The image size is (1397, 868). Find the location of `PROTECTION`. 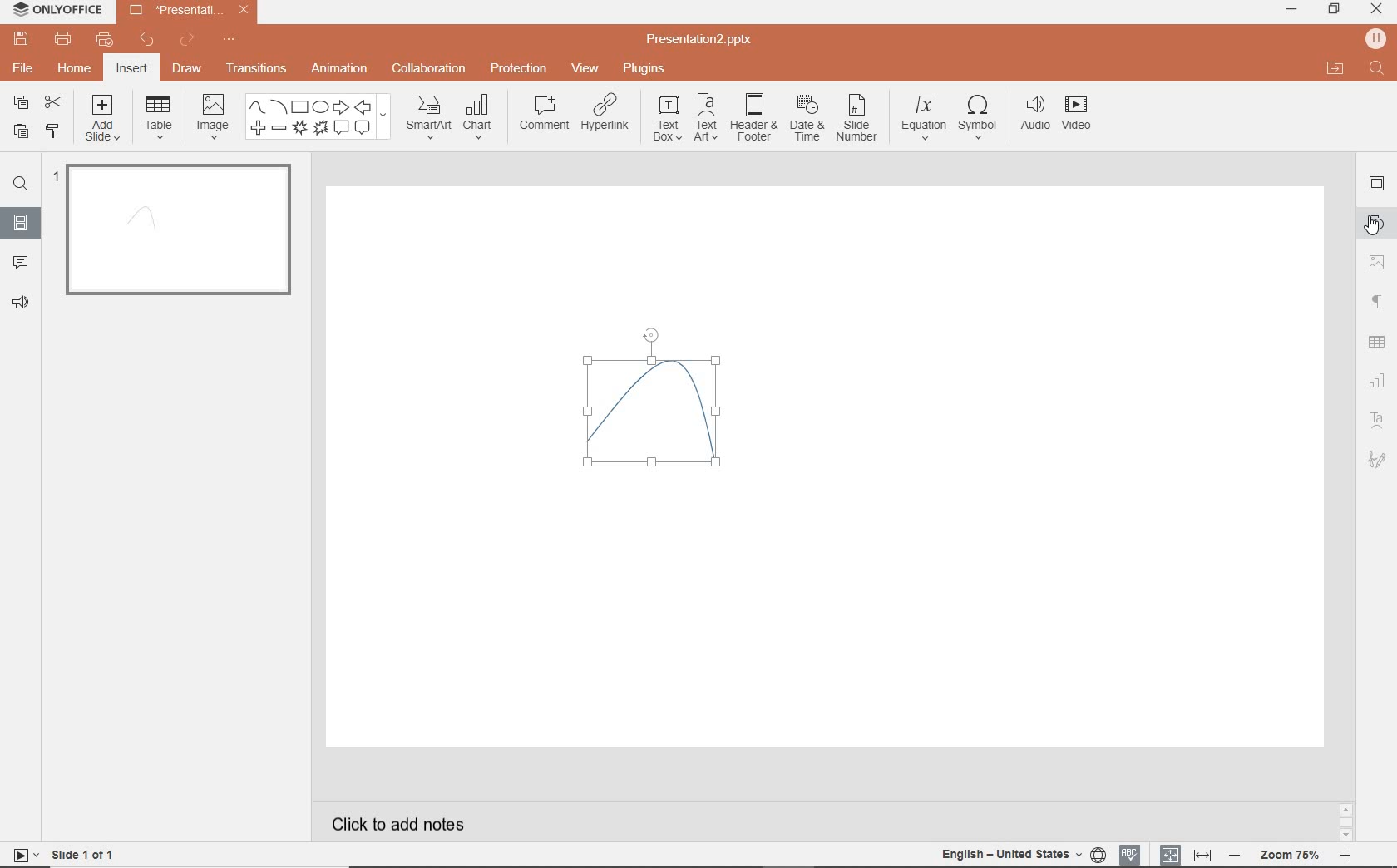

PROTECTION is located at coordinates (519, 68).